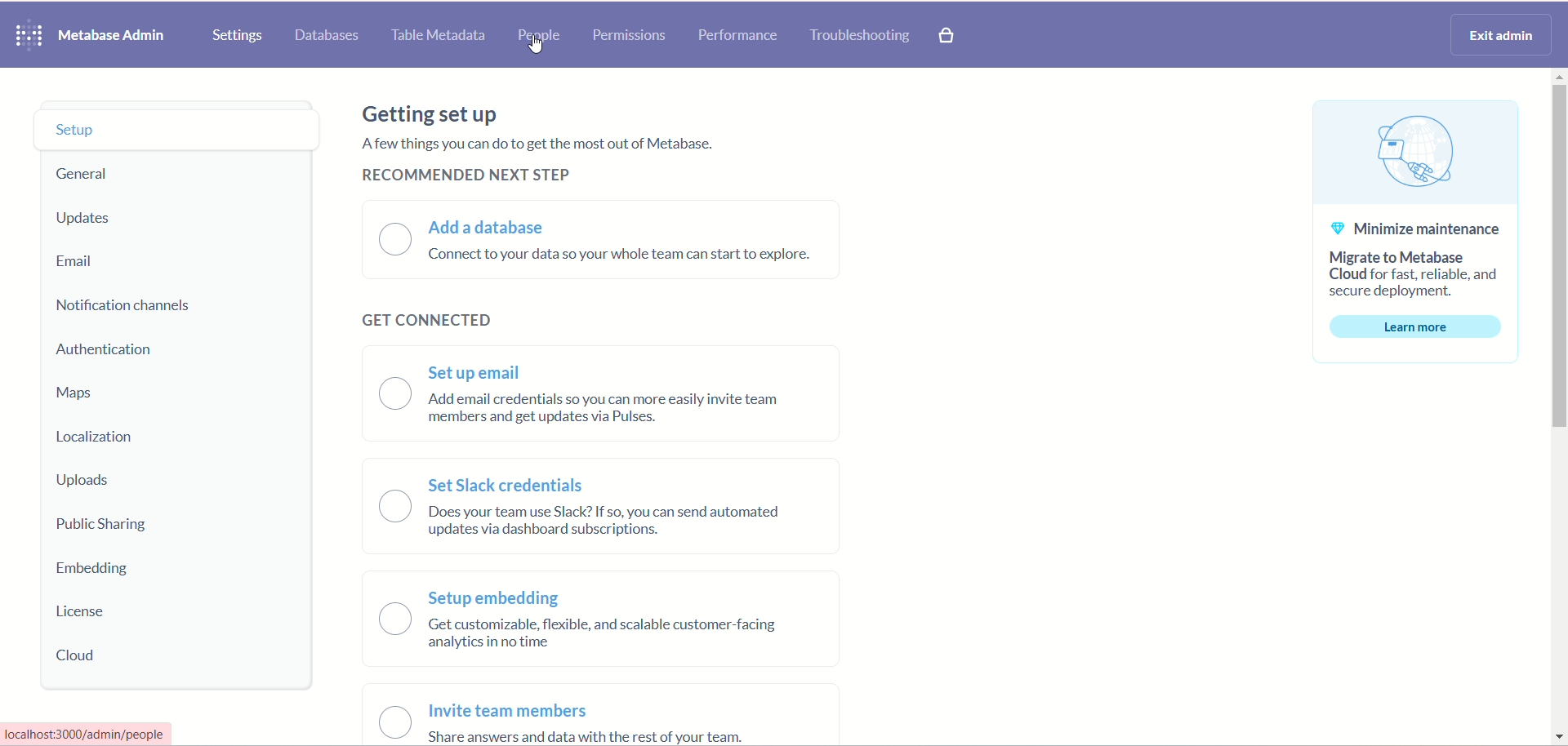 Image resolution: width=1568 pixels, height=746 pixels. What do you see at coordinates (30, 34) in the screenshot?
I see `logo` at bounding box center [30, 34].